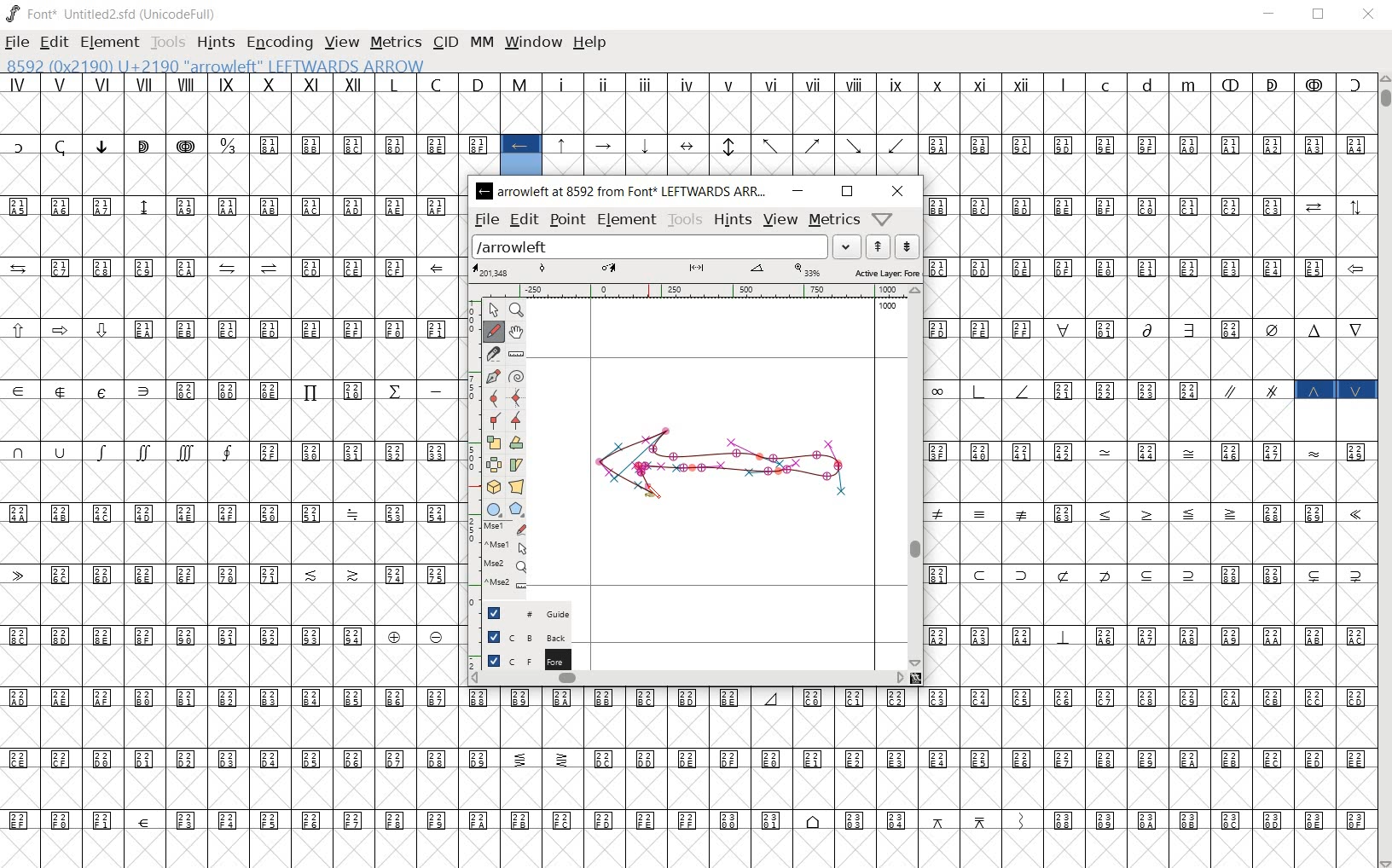 Image resolution: width=1392 pixels, height=868 pixels. What do you see at coordinates (493, 308) in the screenshot?
I see `pointer` at bounding box center [493, 308].